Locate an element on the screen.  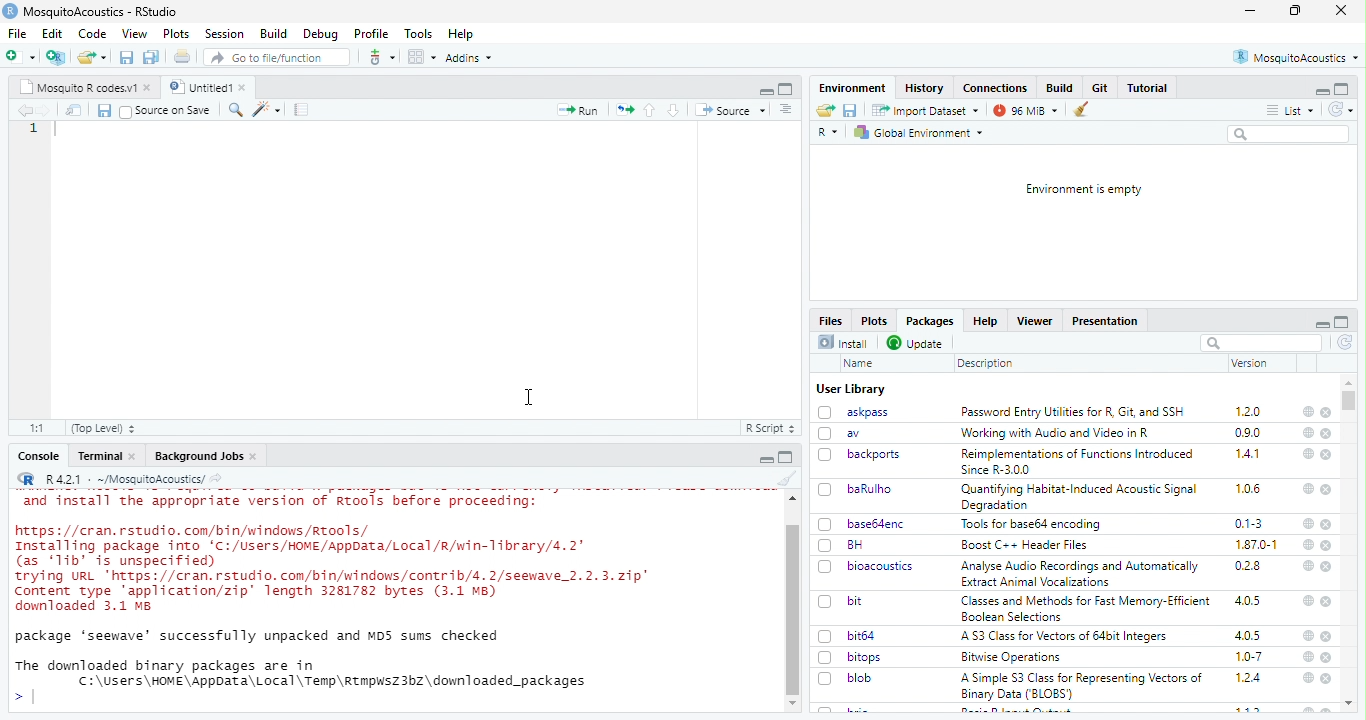
Description is located at coordinates (986, 365).